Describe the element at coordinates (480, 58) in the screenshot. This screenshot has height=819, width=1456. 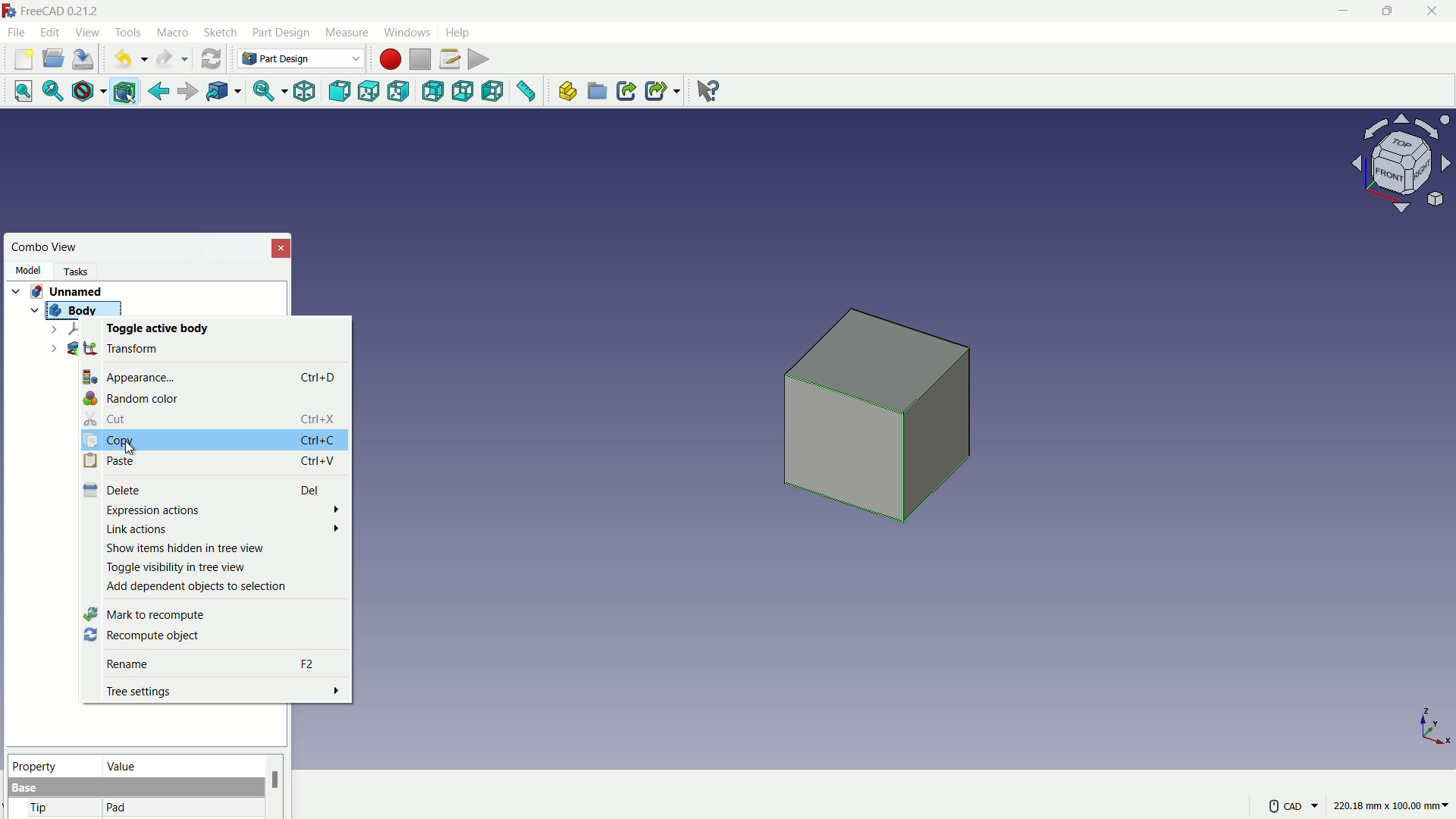
I see `execute macros` at that location.